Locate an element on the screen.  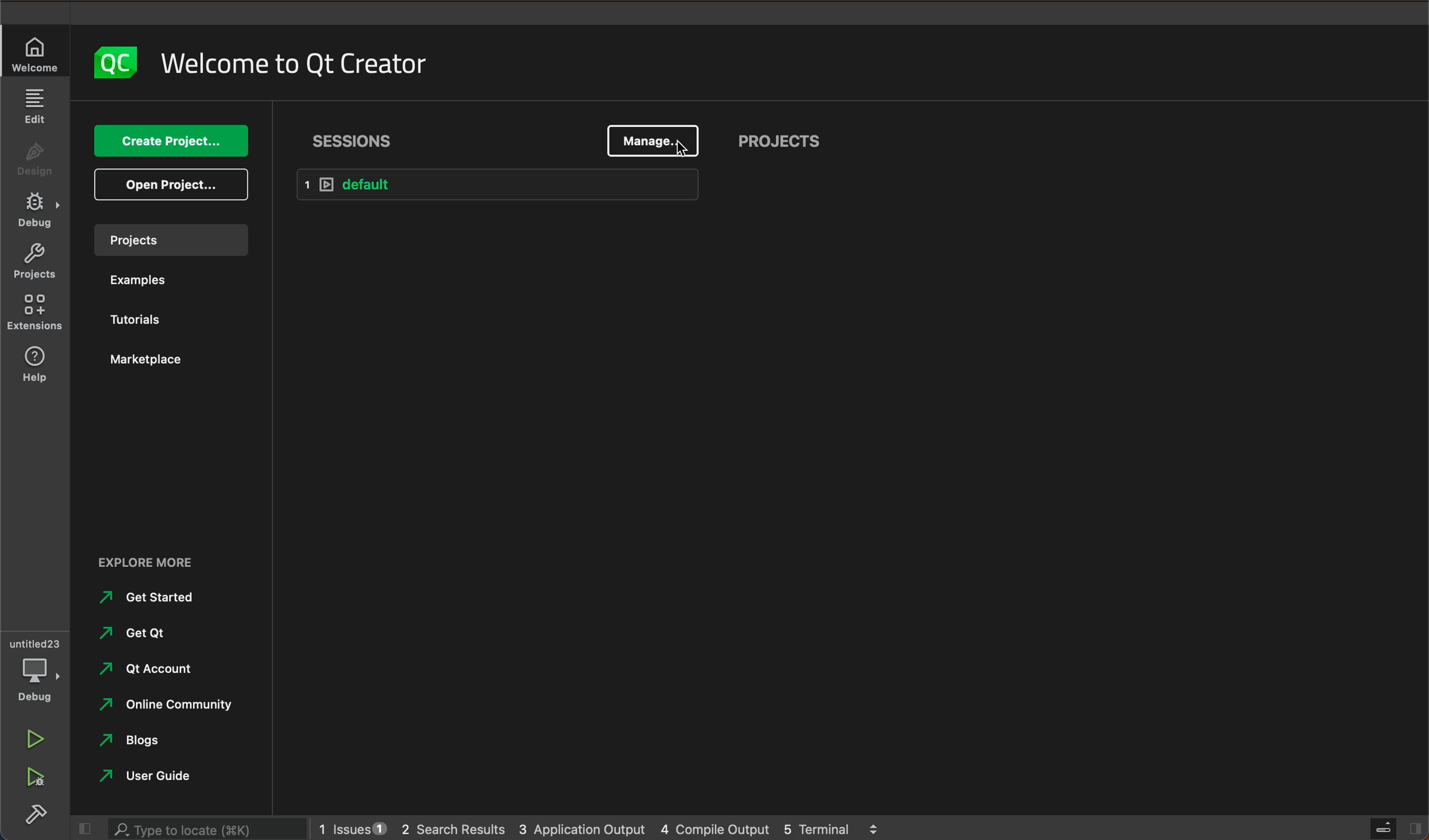
online community is located at coordinates (160, 705).